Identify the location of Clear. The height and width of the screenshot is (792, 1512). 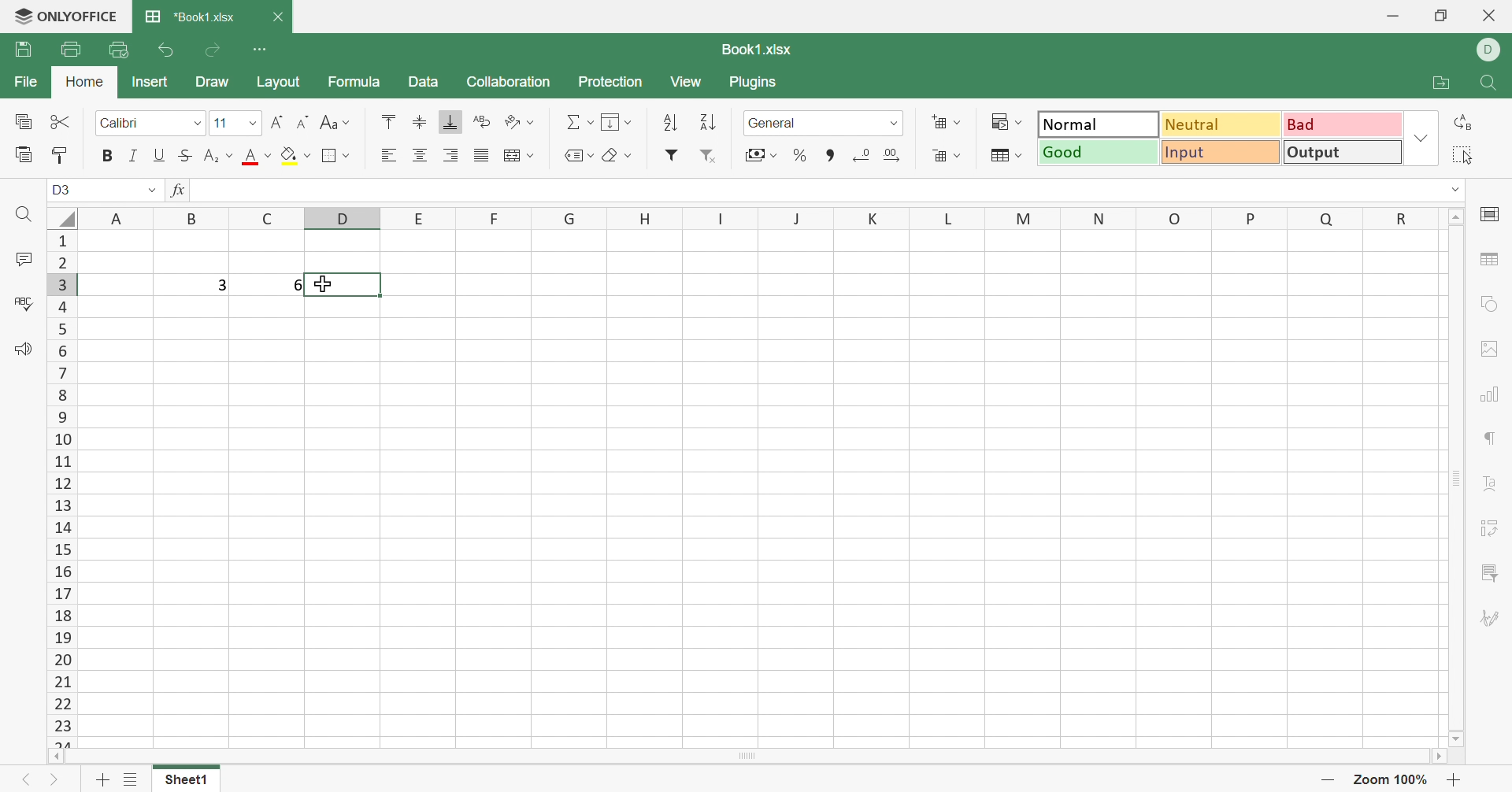
(619, 154).